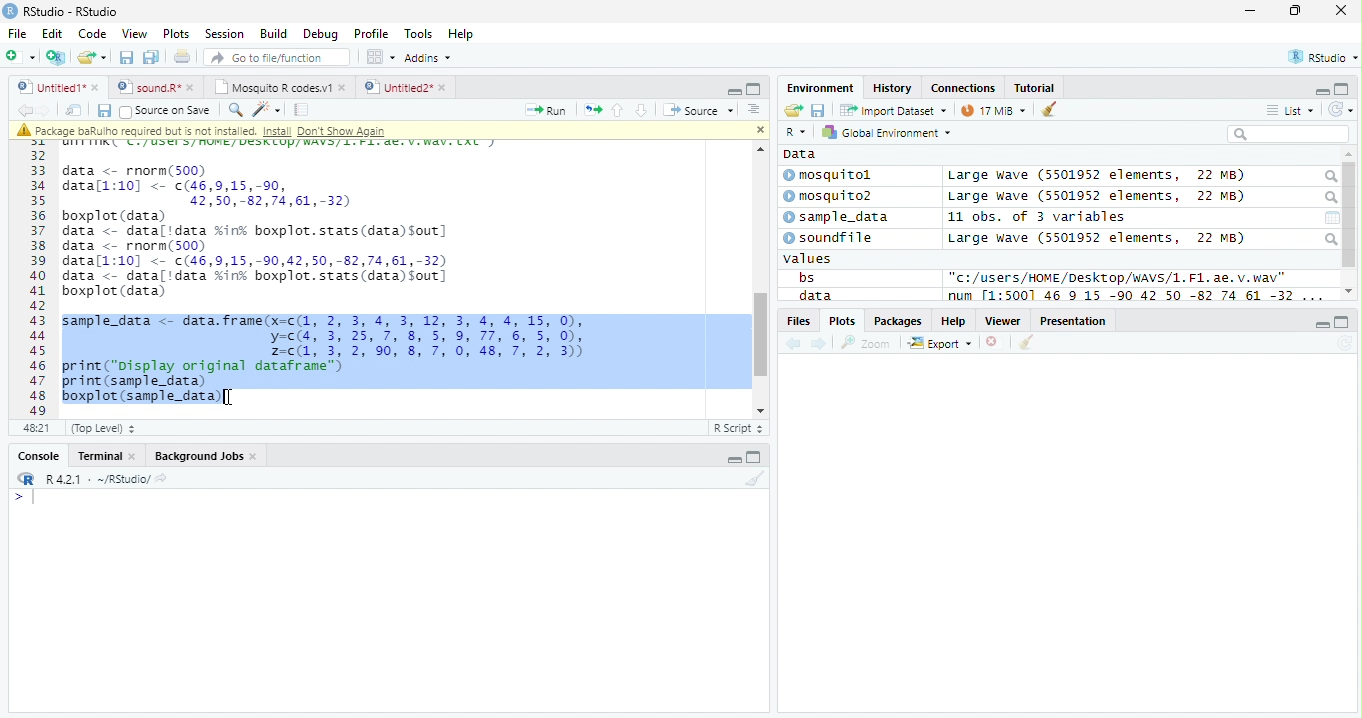 The height and width of the screenshot is (718, 1362). I want to click on Background Jobs, so click(204, 456).